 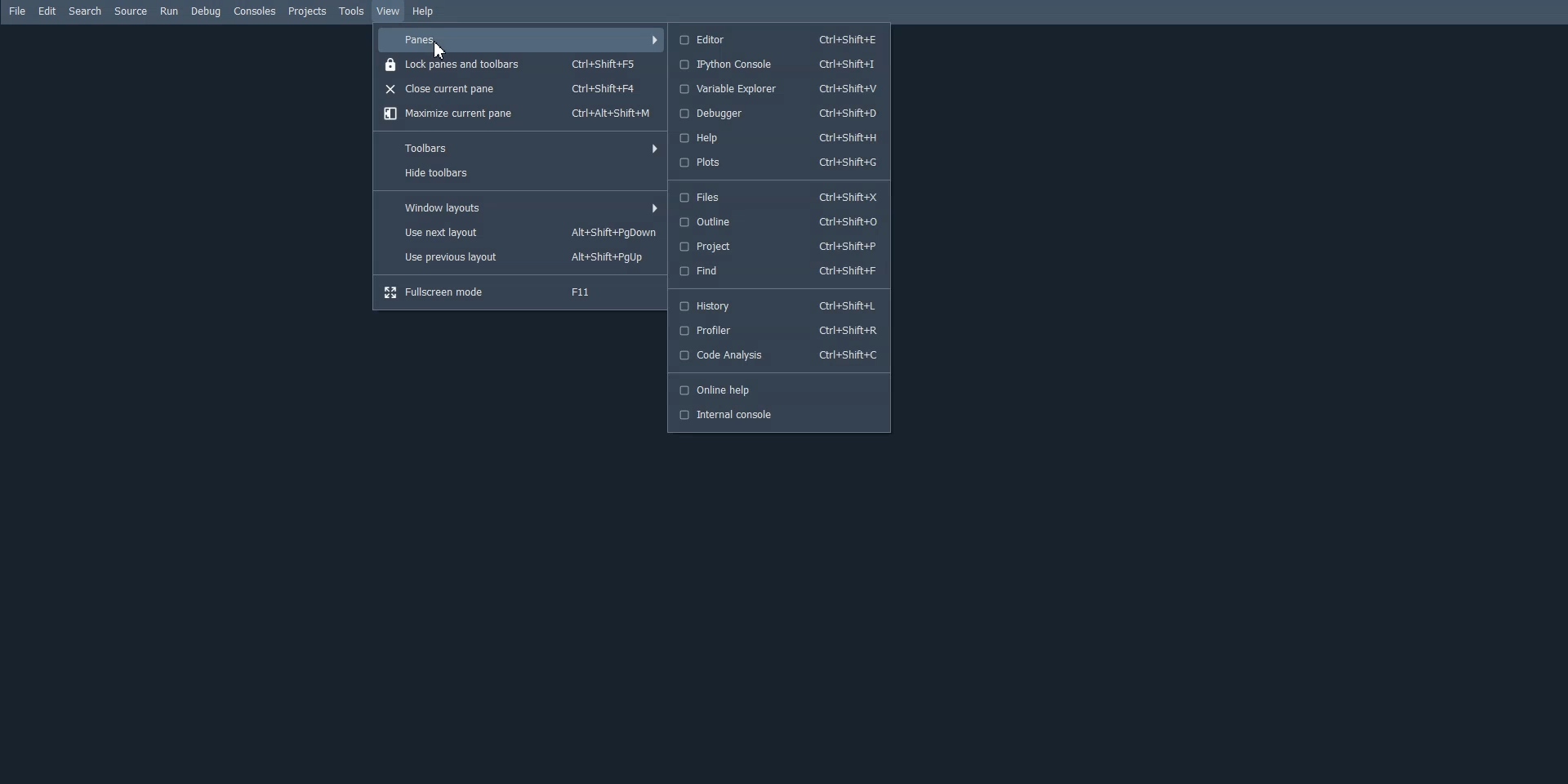 What do you see at coordinates (523, 207) in the screenshot?
I see `window layouts` at bounding box center [523, 207].